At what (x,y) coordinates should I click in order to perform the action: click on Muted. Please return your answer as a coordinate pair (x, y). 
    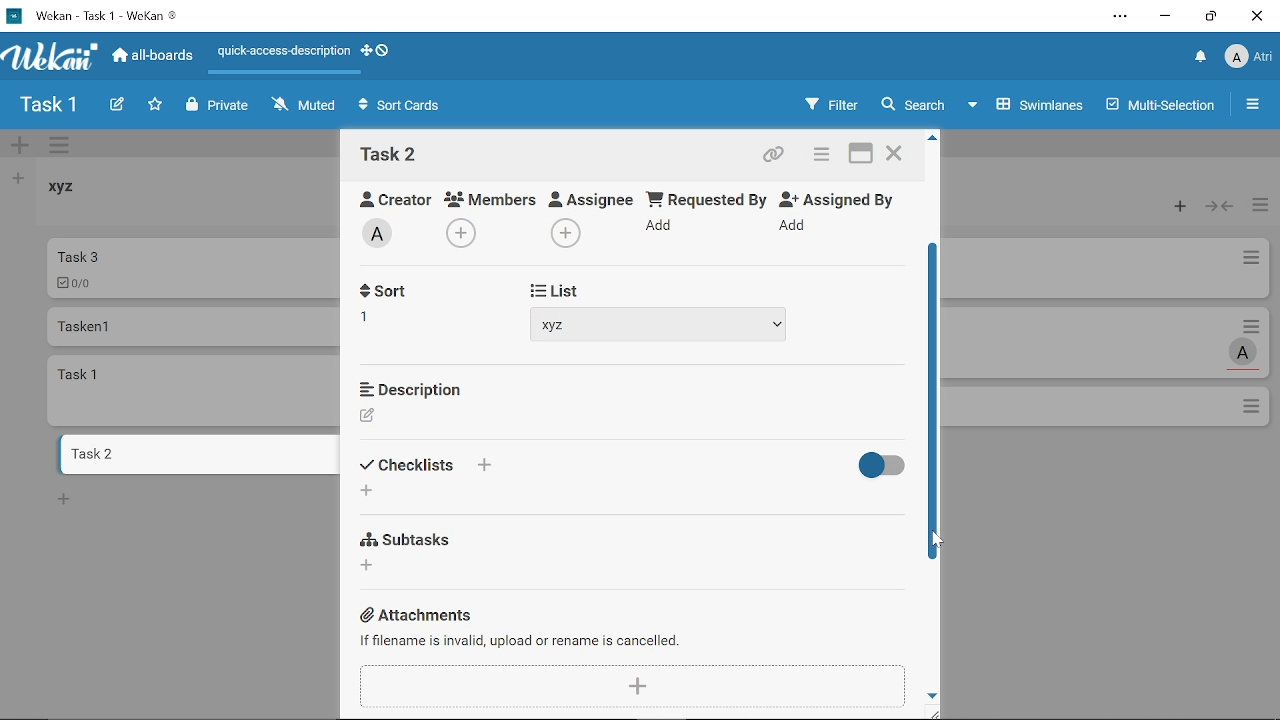
    Looking at the image, I should click on (305, 104).